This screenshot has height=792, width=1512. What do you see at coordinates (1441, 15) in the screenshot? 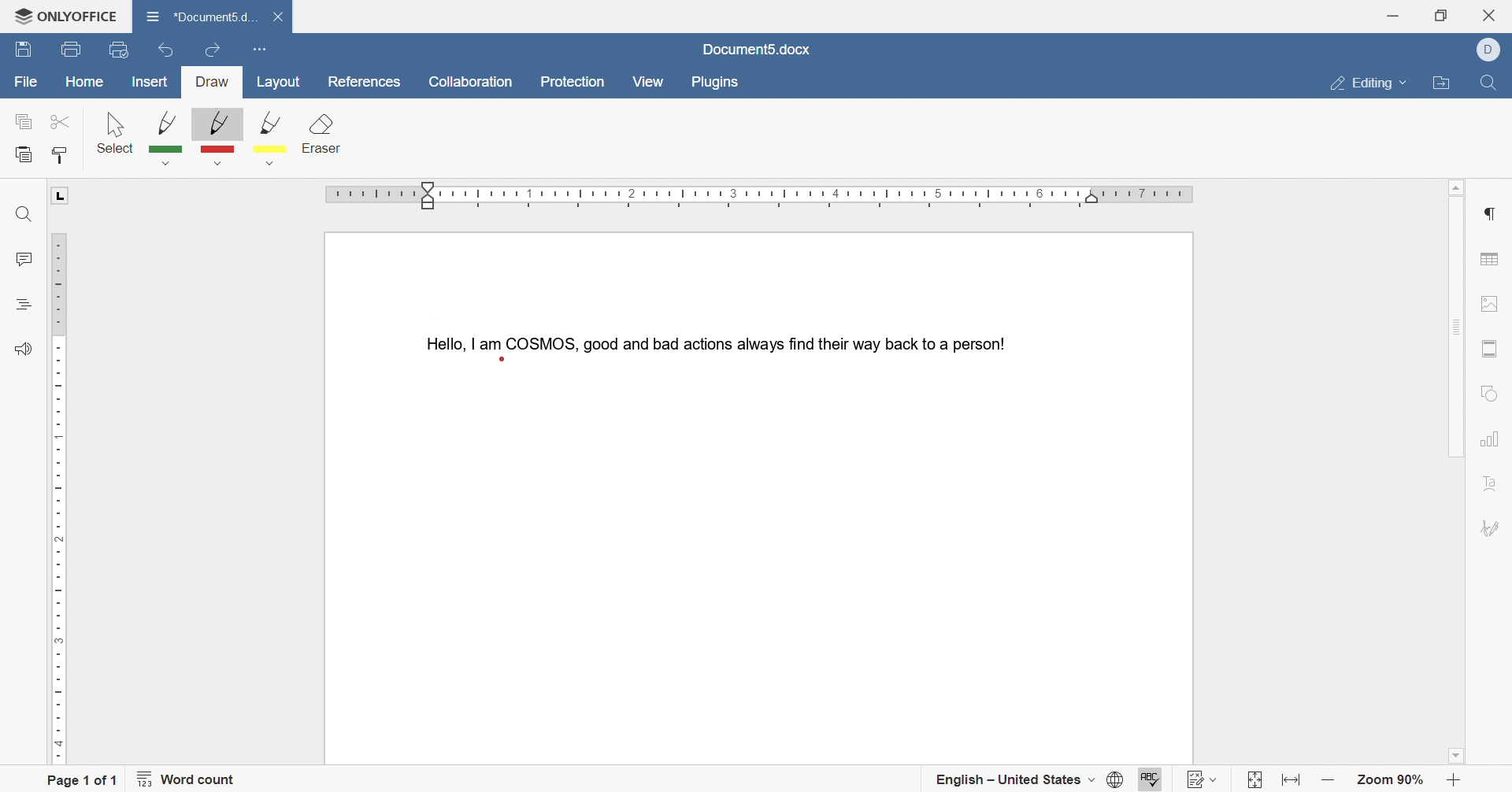
I see `restore down` at bounding box center [1441, 15].